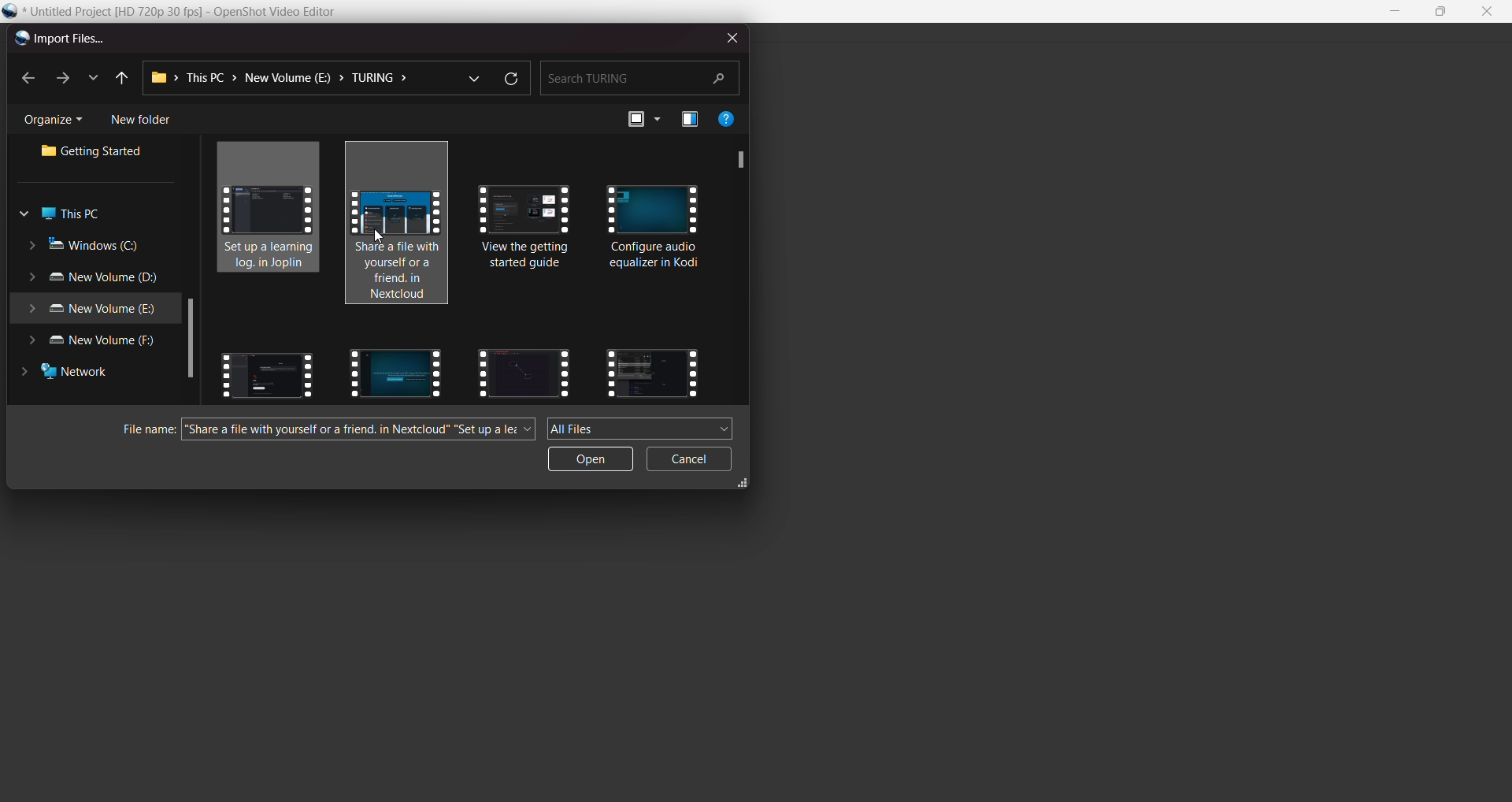 This screenshot has width=1512, height=802. Describe the element at coordinates (524, 370) in the screenshot. I see `videos` at that location.